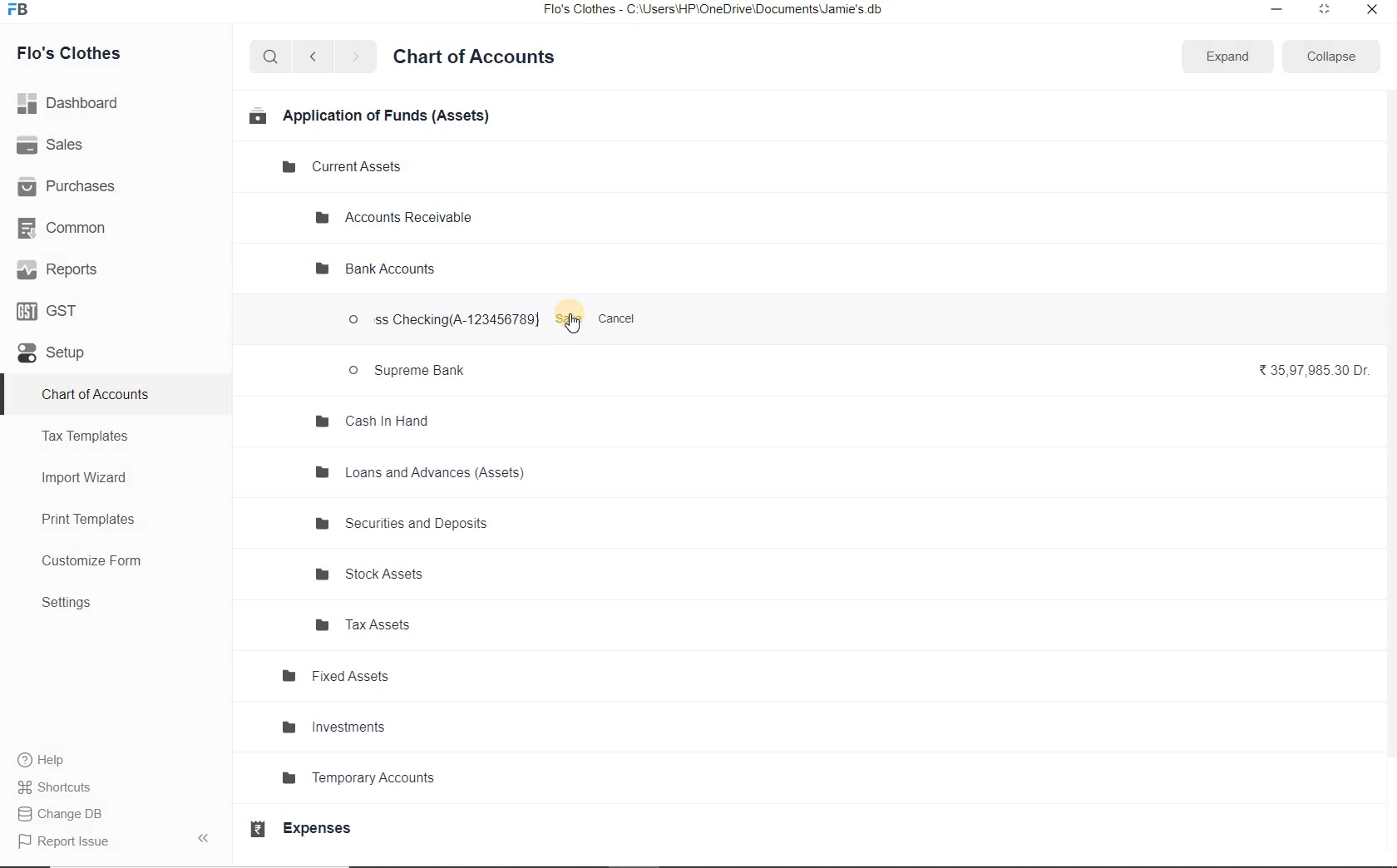  I want to click on close, so click(1371, 8).